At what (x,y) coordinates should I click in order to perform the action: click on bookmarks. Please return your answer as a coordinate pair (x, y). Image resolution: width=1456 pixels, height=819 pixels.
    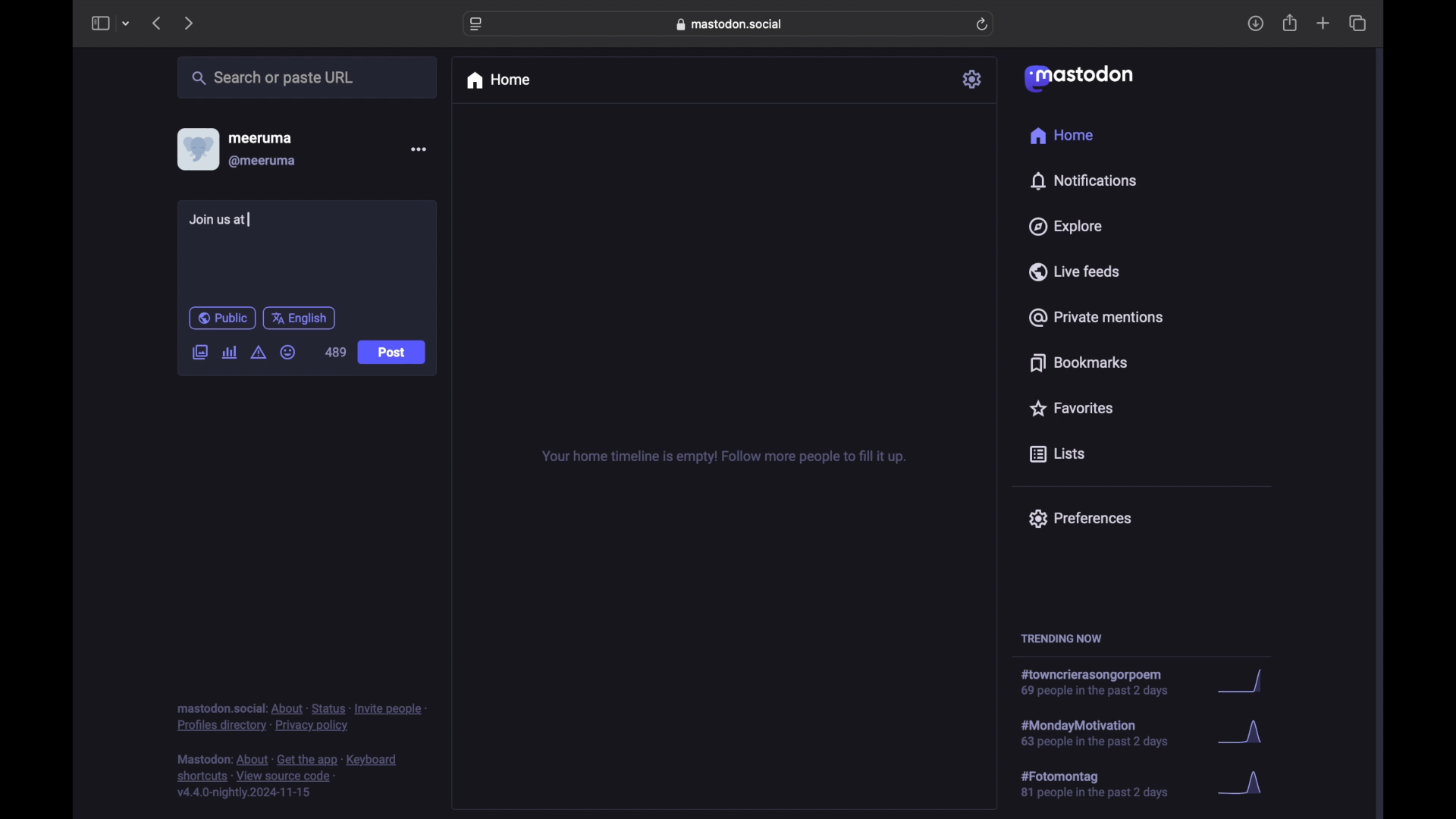
    Looking at the image, I should click on (1078, 362).